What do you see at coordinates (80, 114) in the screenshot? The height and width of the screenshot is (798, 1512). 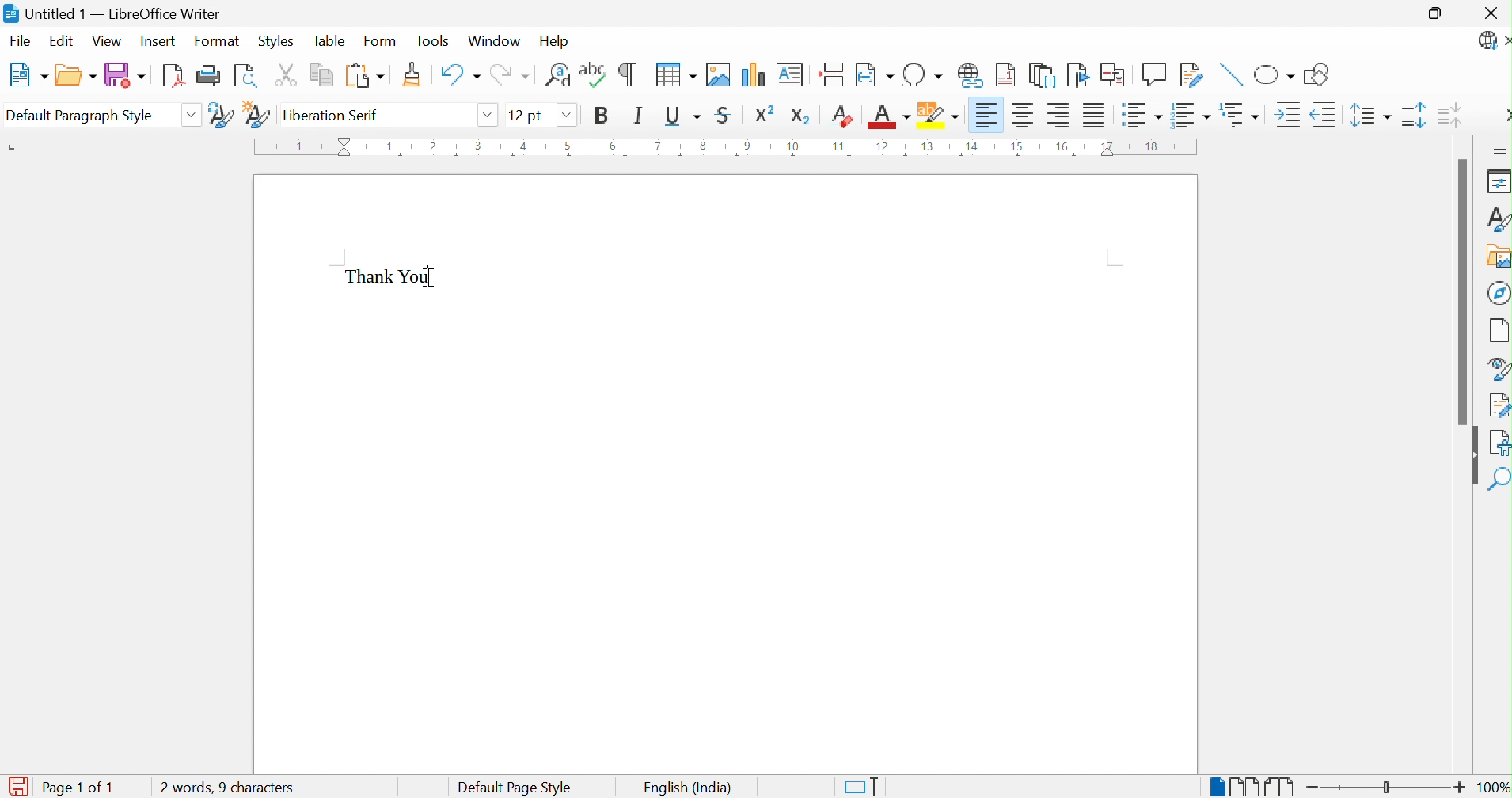 I see `Default Paragraph Style` at bounding box center [80, 114].